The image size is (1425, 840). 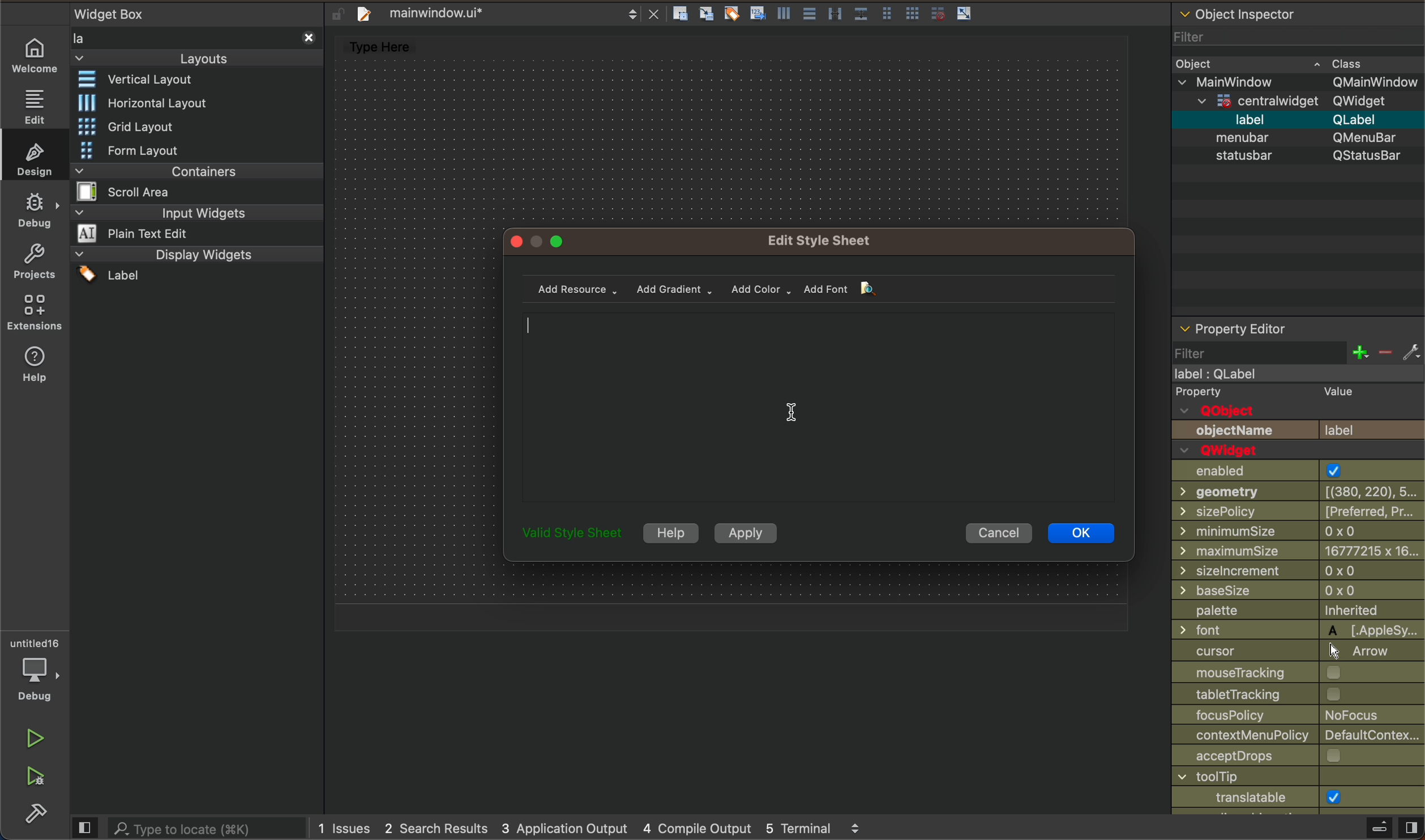 I want to click on Qobject, so click(x=1299, y=402).